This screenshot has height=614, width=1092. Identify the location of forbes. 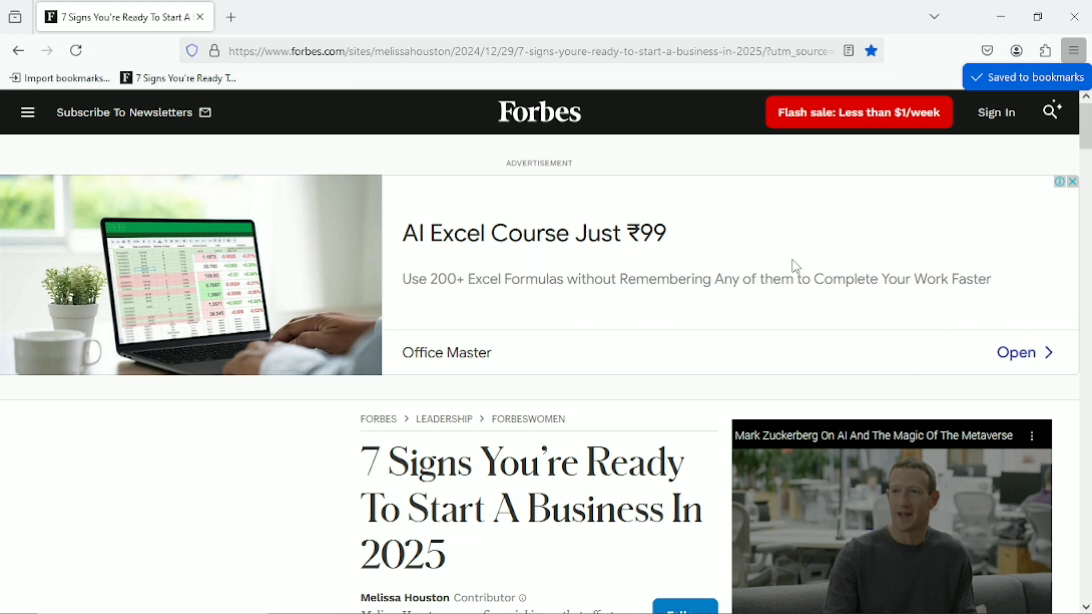
(539, 114).